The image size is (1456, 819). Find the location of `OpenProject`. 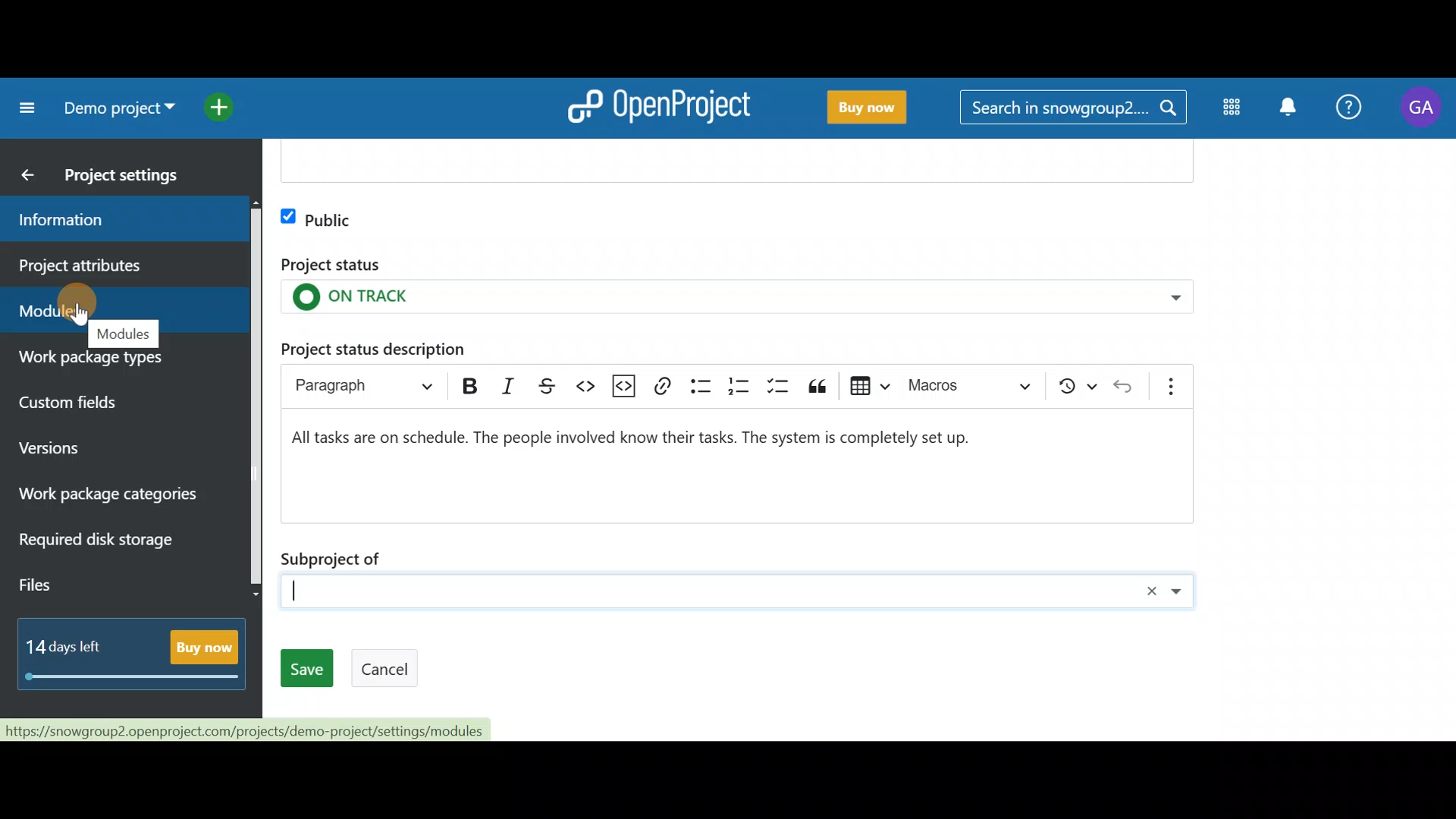

OpenProject is located at coordinates (660, 111).